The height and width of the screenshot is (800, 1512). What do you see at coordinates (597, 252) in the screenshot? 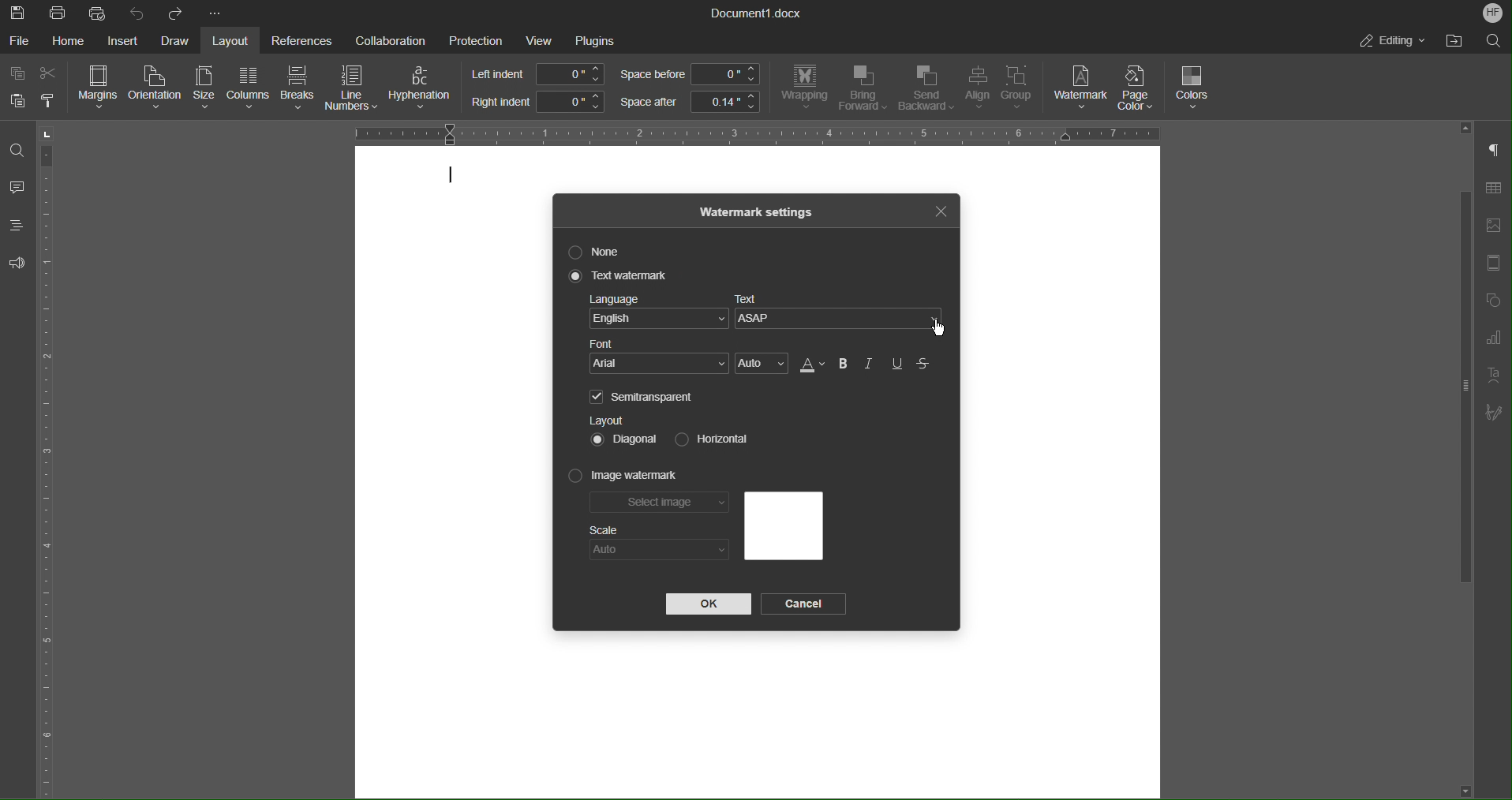
I see `None` at bounding box center [597, 252].